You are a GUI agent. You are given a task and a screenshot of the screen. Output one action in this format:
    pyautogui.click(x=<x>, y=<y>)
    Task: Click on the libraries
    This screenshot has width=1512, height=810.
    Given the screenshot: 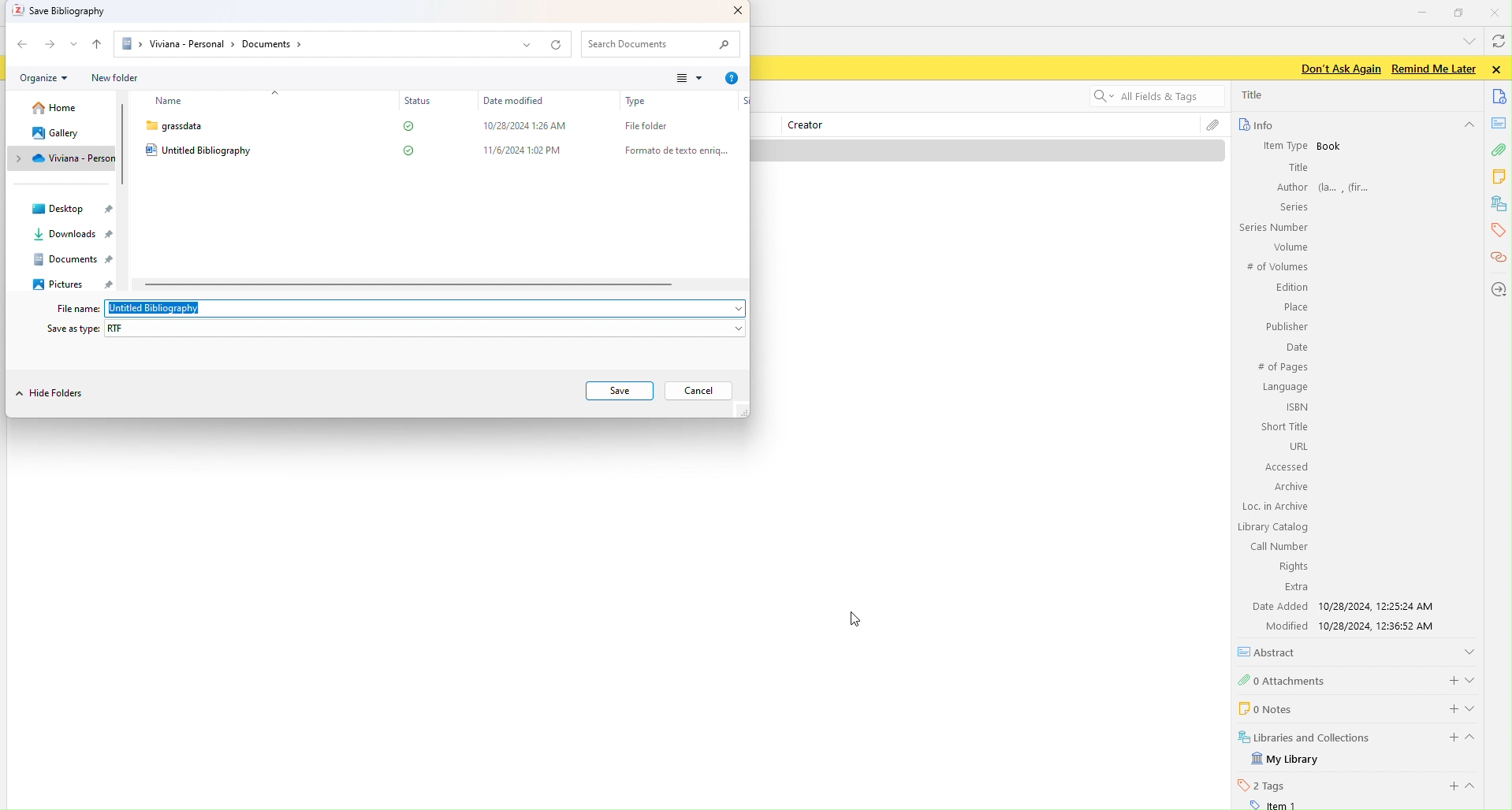 What is the action you would take?
    pyautogui.click(x=1499, y=204)
    